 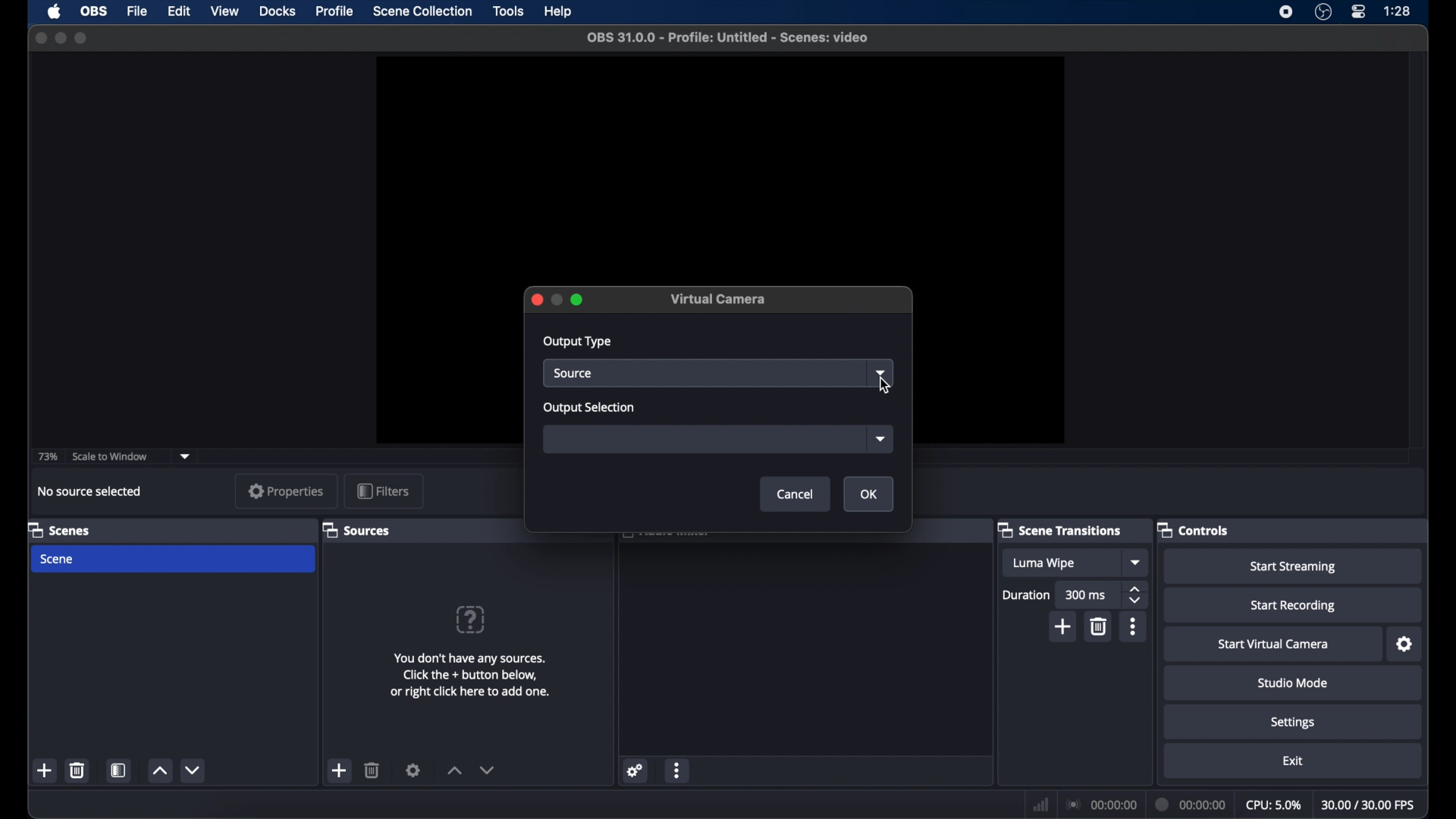 I want to click on delete, so click(x=78, y=771).